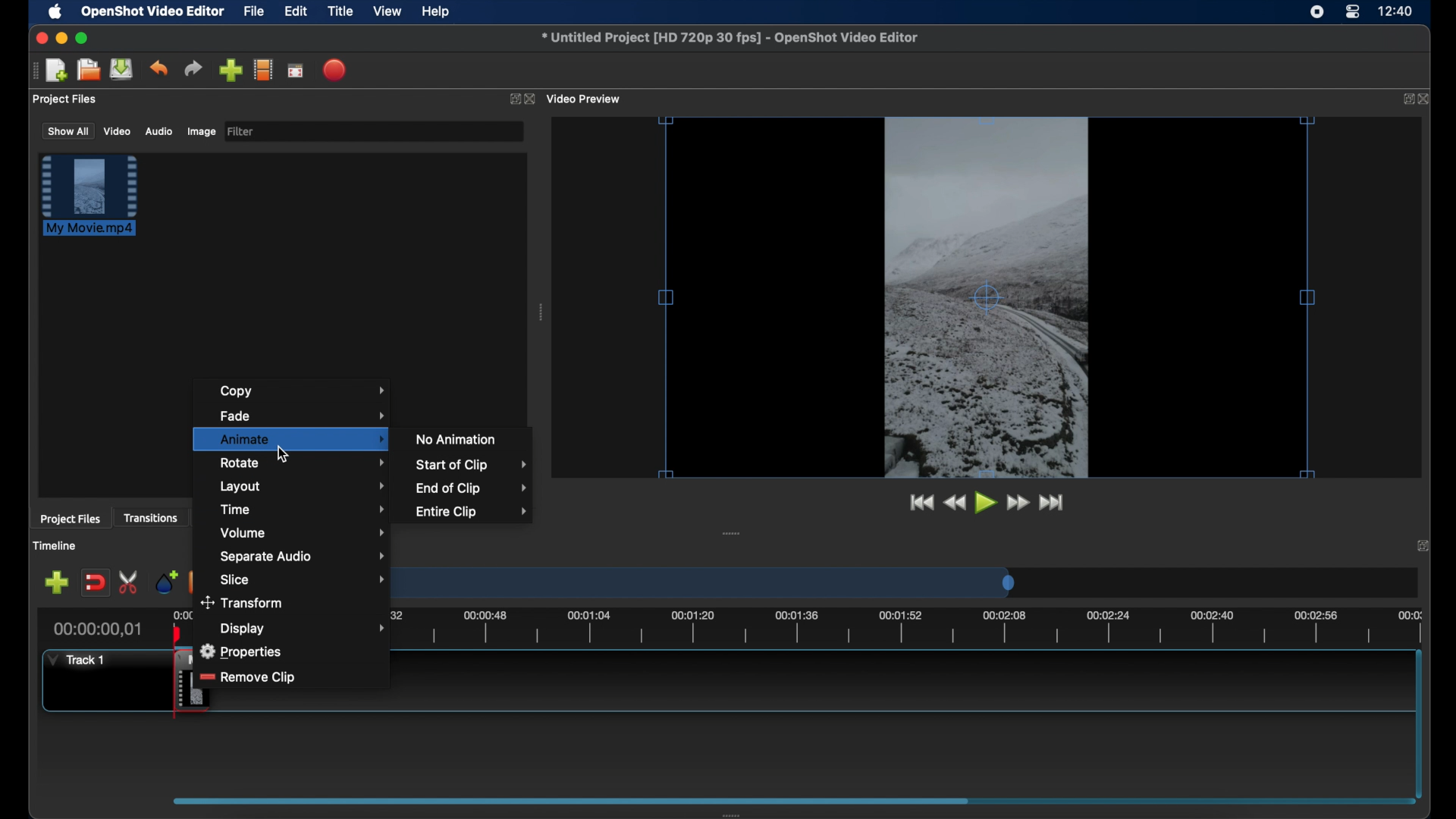 The width and height of the screenshot is (1456, 819). Describe the element at coordinates (458, 439) in the screenshot. I see `no animation` at that location.